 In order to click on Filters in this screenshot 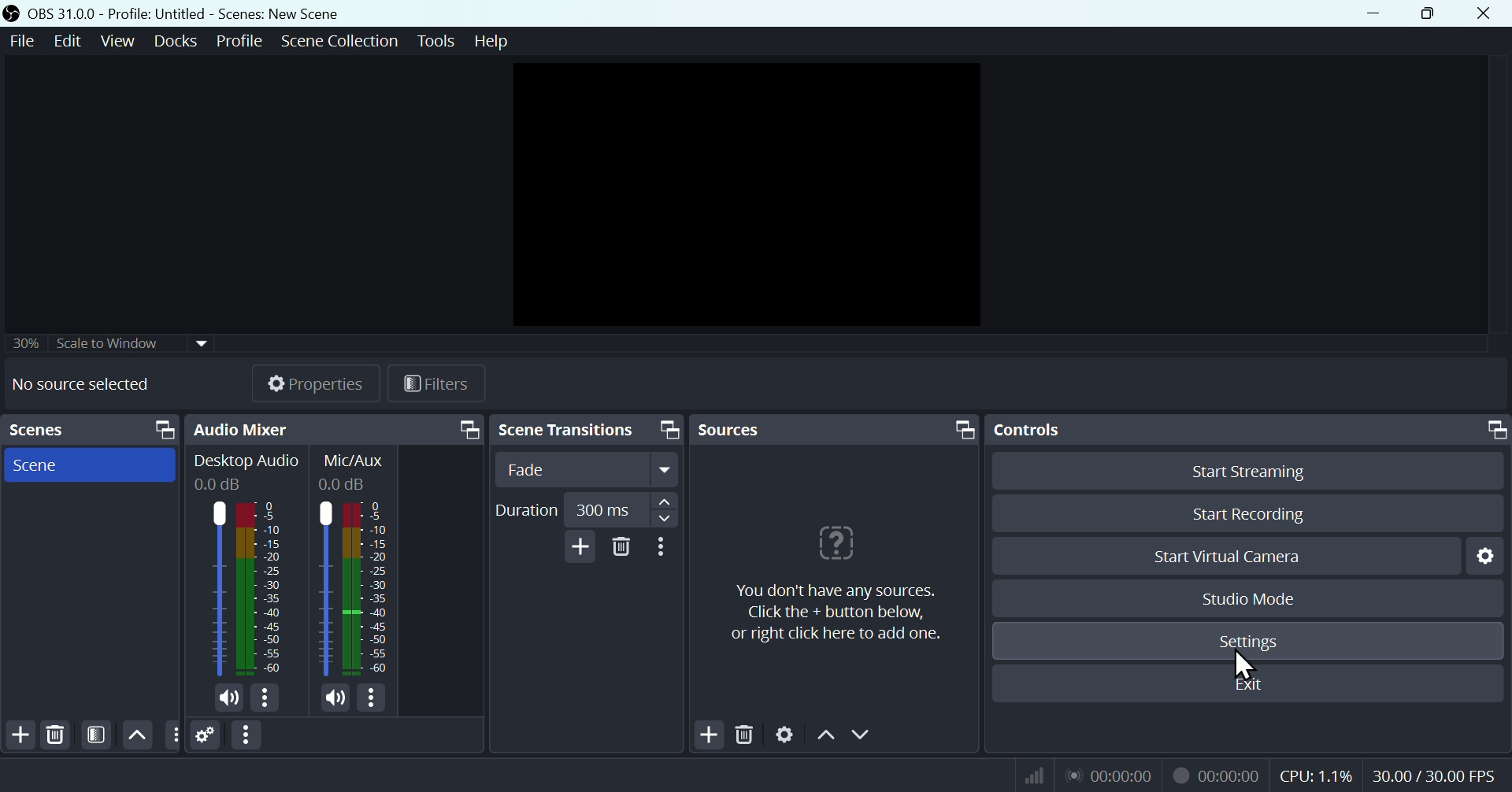, I will do `click(439, 384)`.